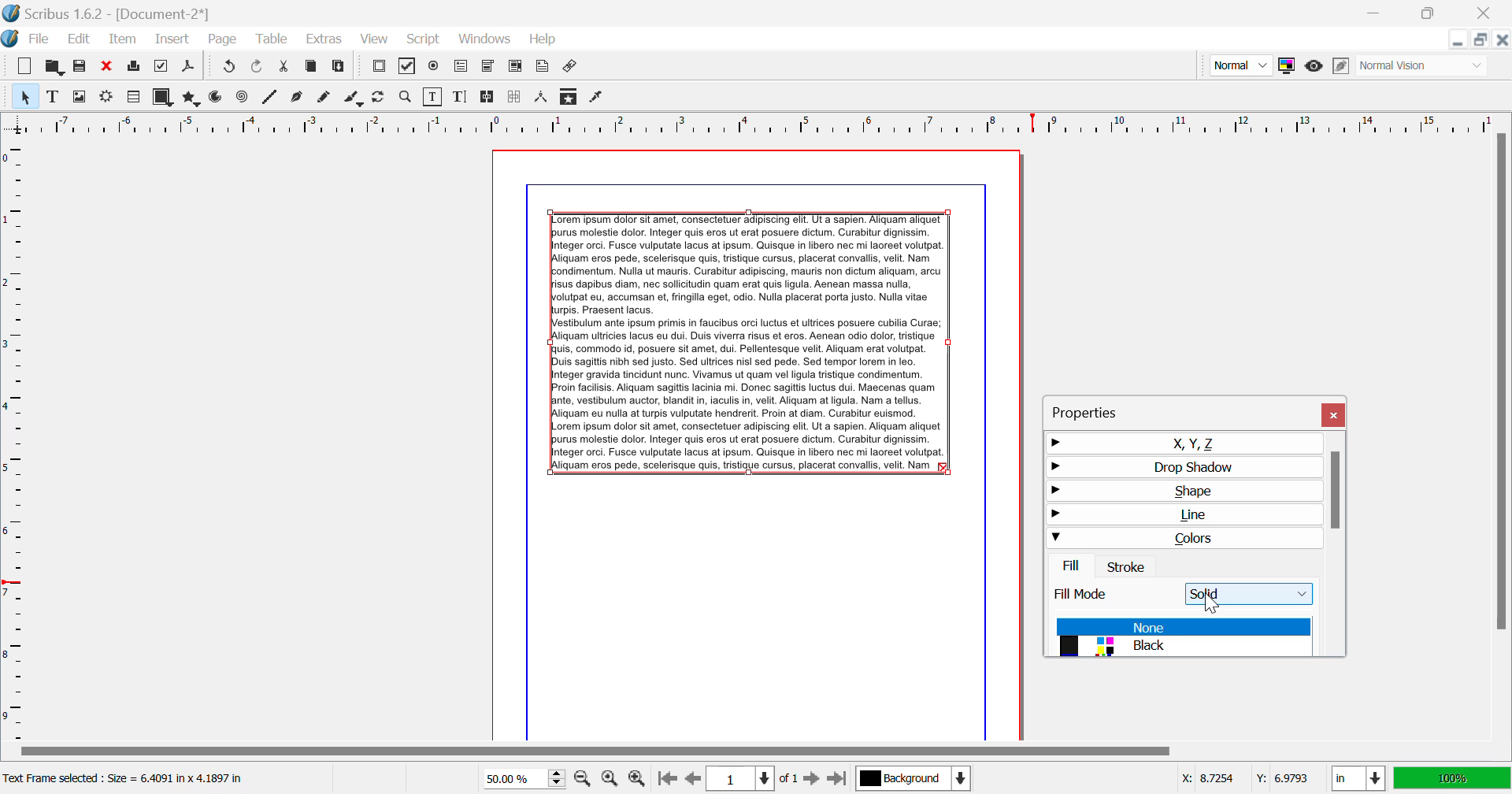  I want to click on Cut, so click(285, 68).